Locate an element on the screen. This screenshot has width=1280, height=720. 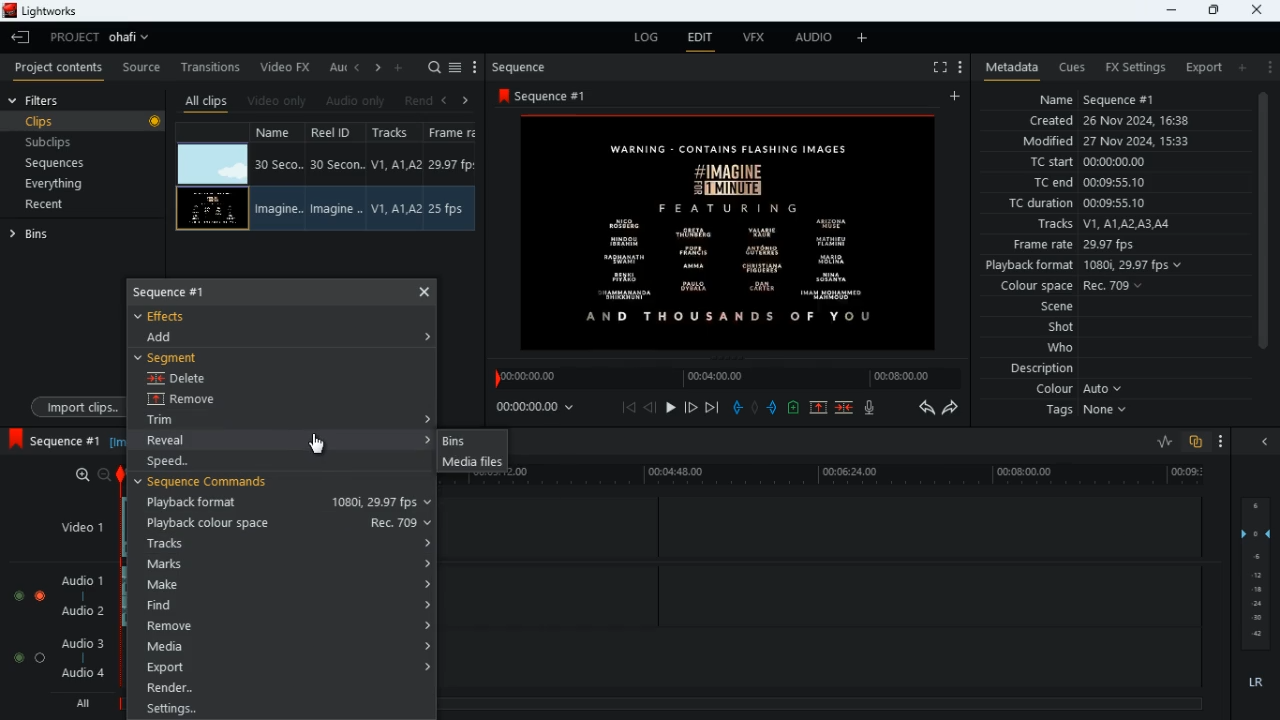
who is located at coordinates (1065, 347).